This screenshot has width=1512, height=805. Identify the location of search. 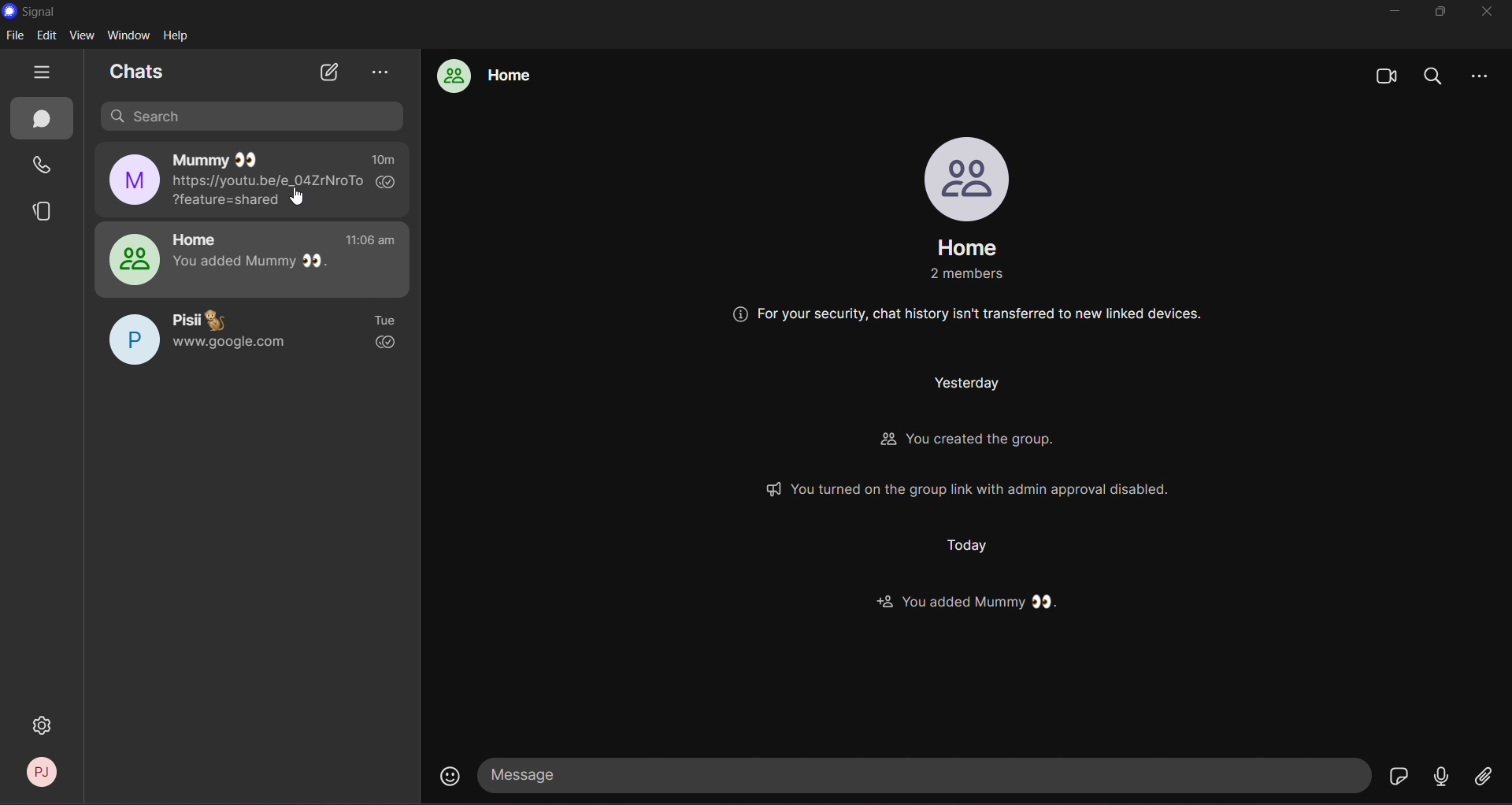
(256, 116).